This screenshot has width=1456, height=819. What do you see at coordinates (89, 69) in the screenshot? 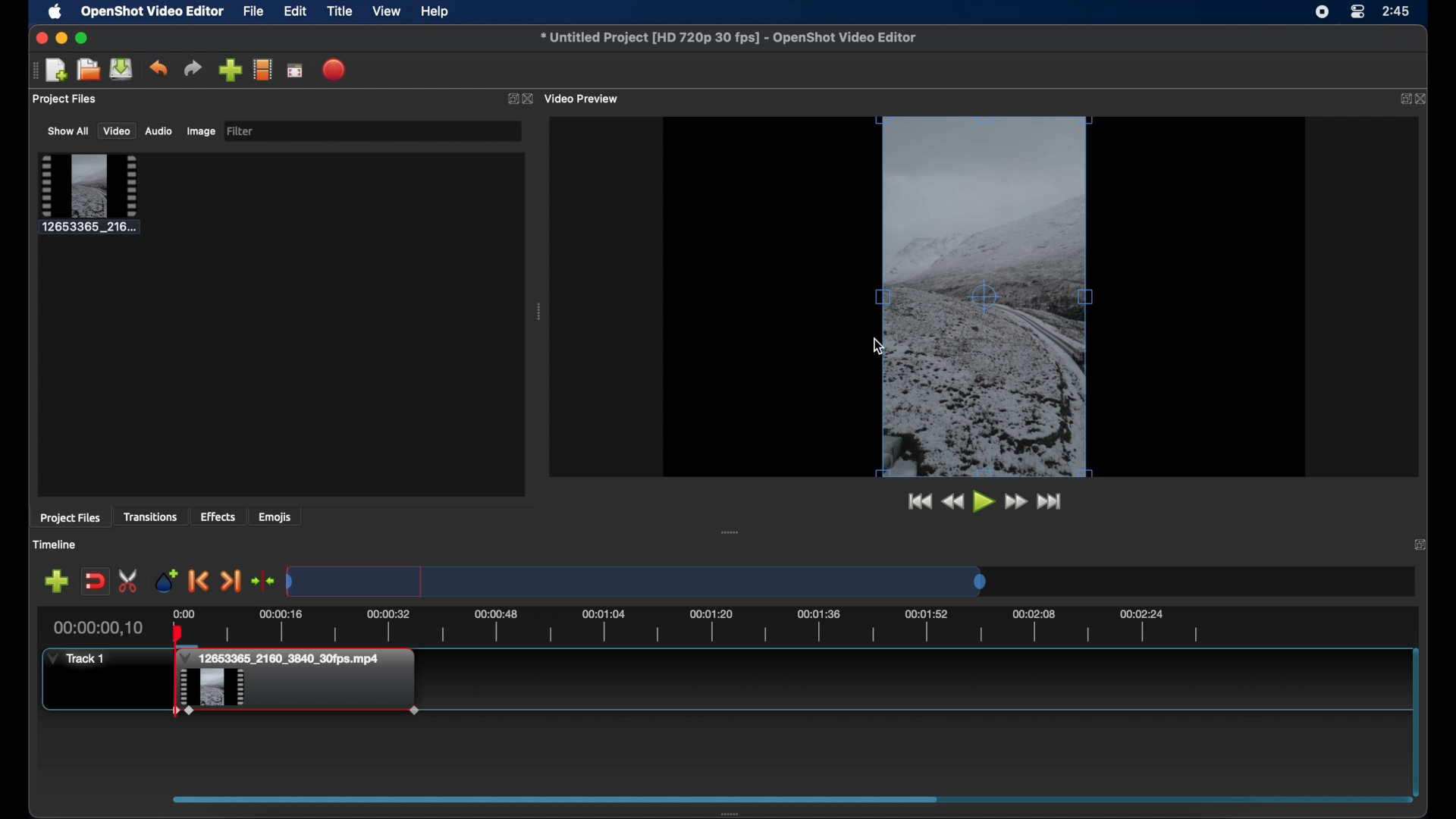
I see `open project` at bounding box center [89, 69].